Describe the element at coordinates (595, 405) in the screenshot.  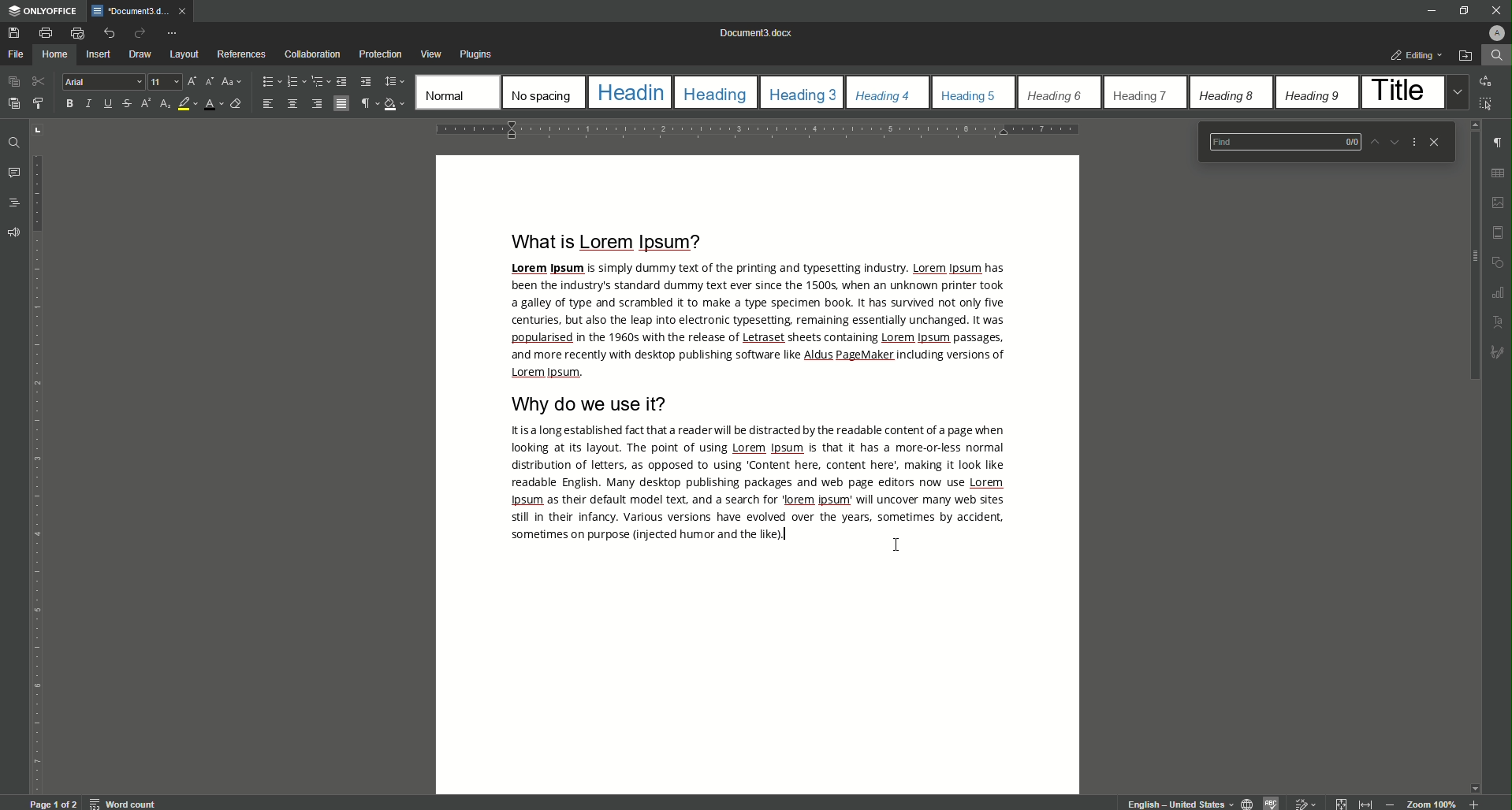
I see `Why DO We Use It?` at that location.